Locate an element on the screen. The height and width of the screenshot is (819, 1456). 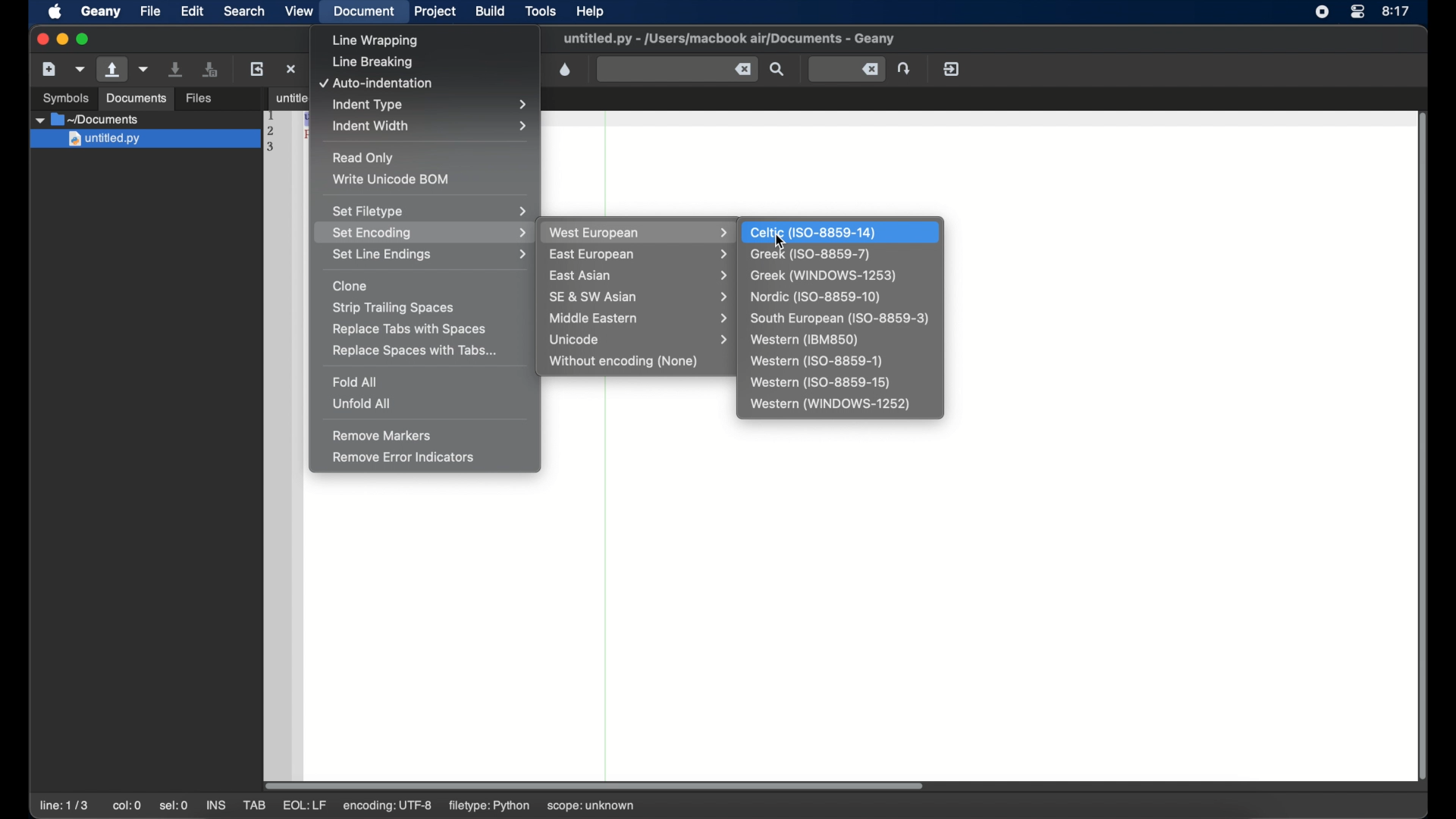
se & sw asian is located at coordinates (642, 297).